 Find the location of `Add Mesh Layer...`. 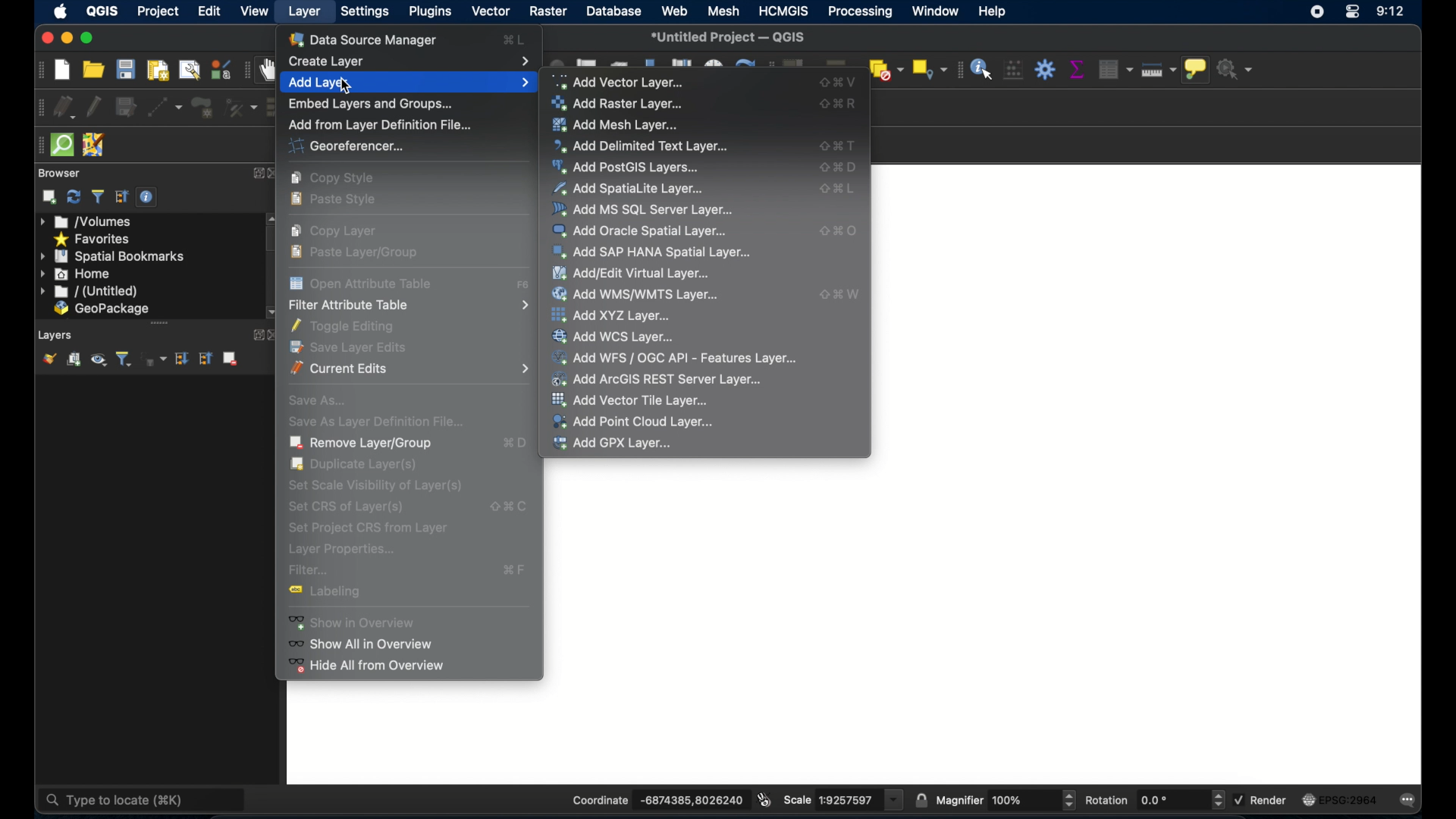

Add Mesh Layer... is located at coordinates (704, 127).